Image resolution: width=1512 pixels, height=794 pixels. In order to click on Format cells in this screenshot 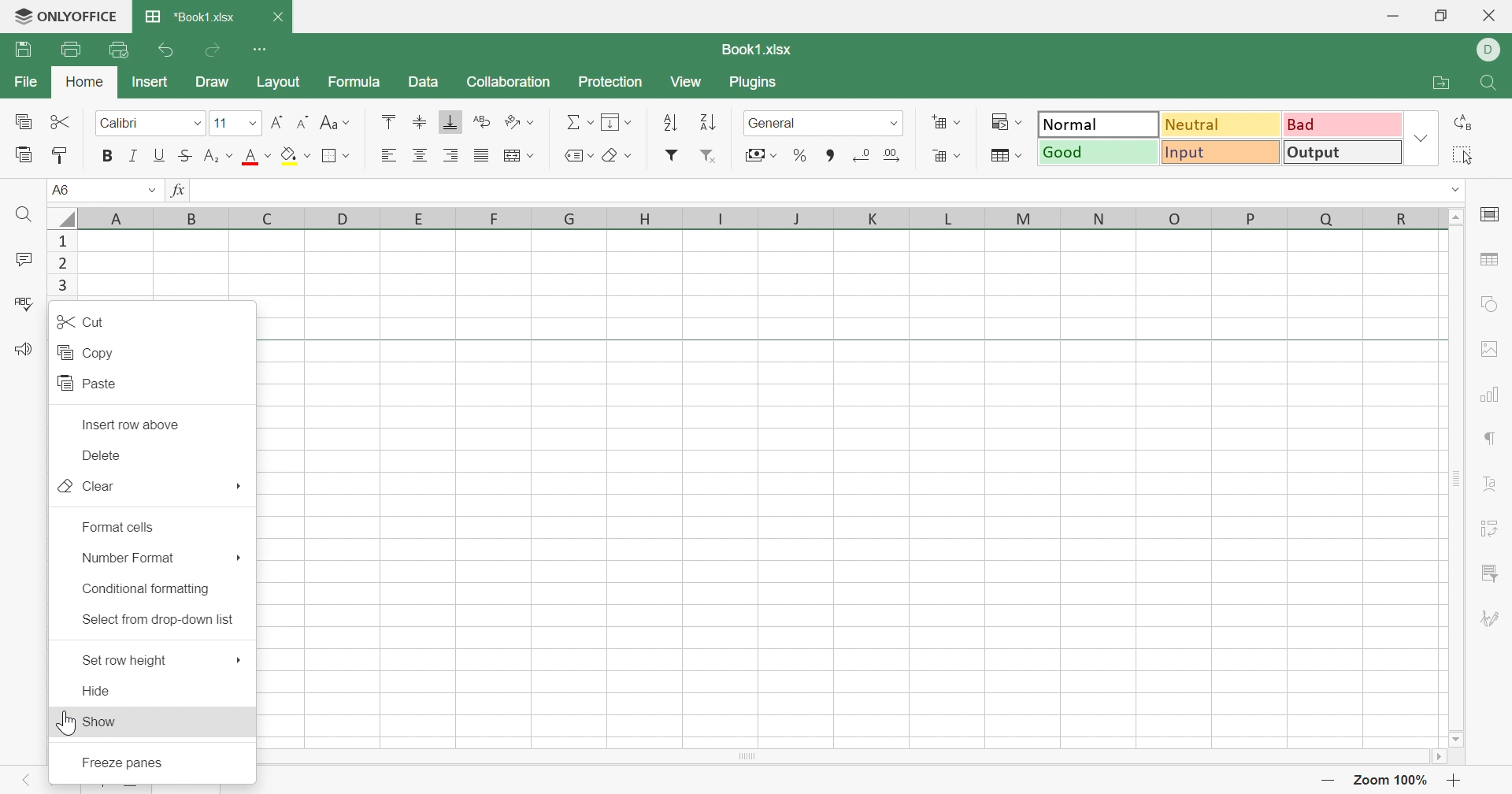, I will do `click(119, 528)`.